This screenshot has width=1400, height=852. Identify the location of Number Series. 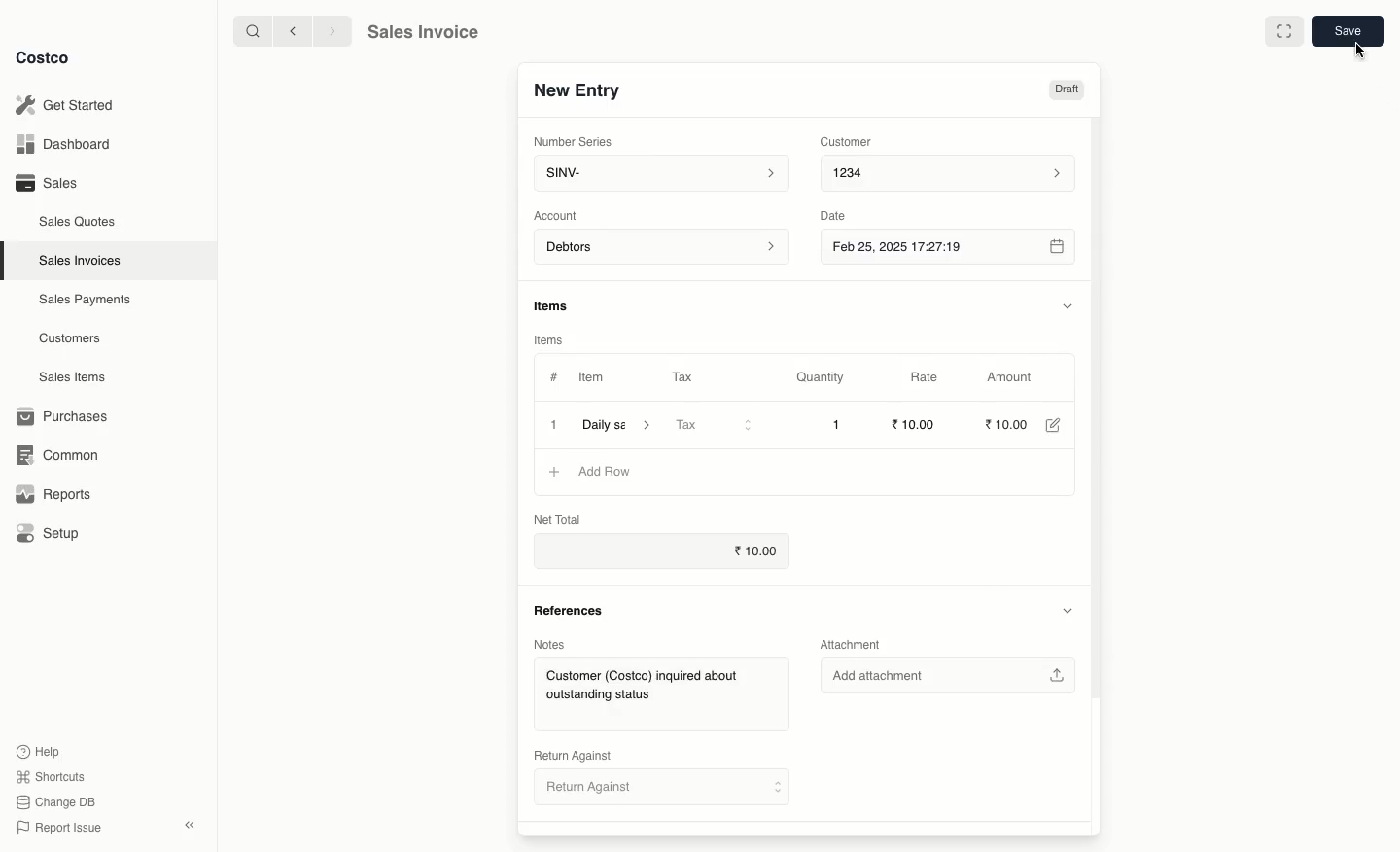
(574, 141).